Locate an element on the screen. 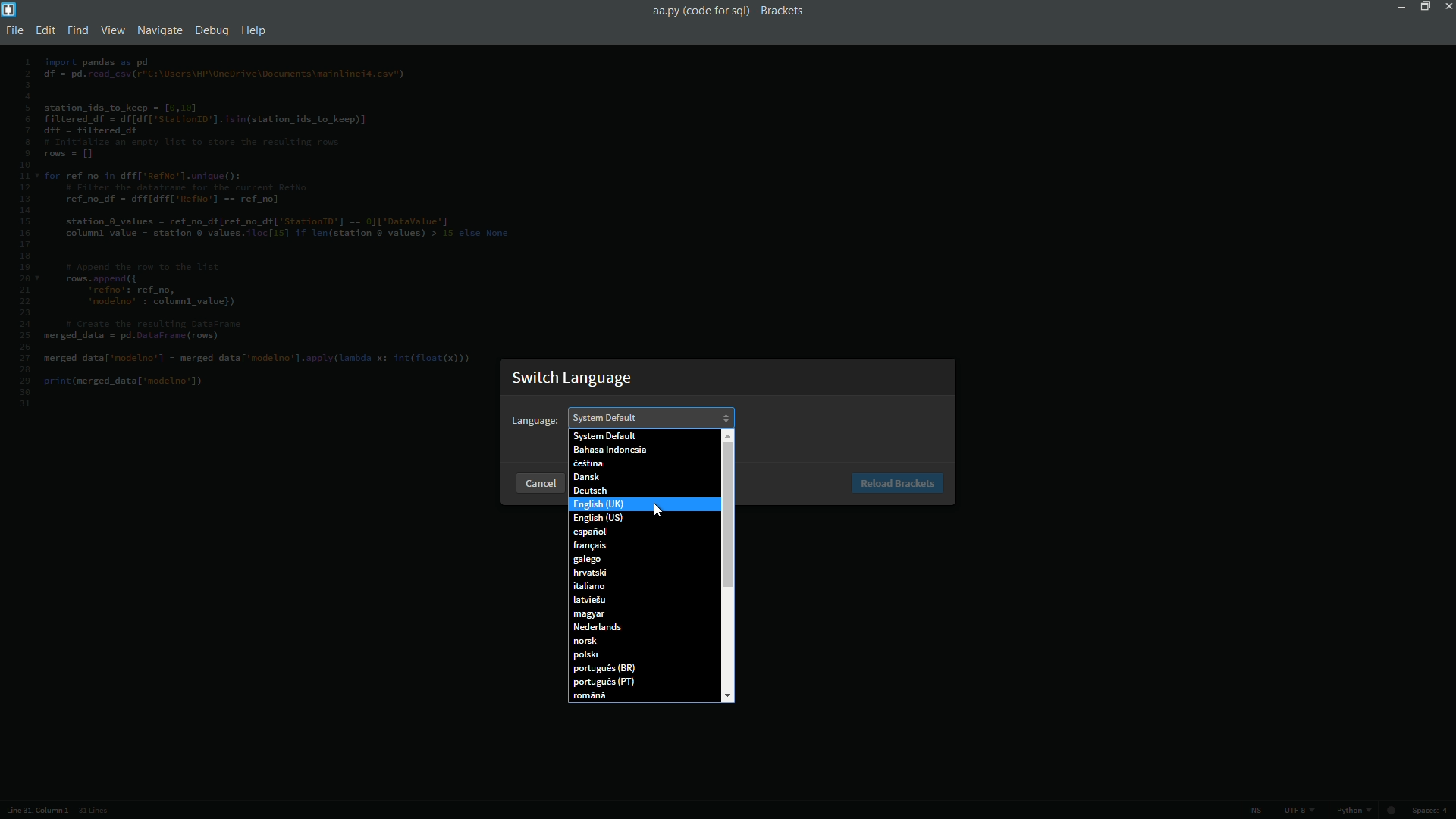 The width and height of the screenshot is (1456, 819). scroll bar is located at coordinates (727, 515).